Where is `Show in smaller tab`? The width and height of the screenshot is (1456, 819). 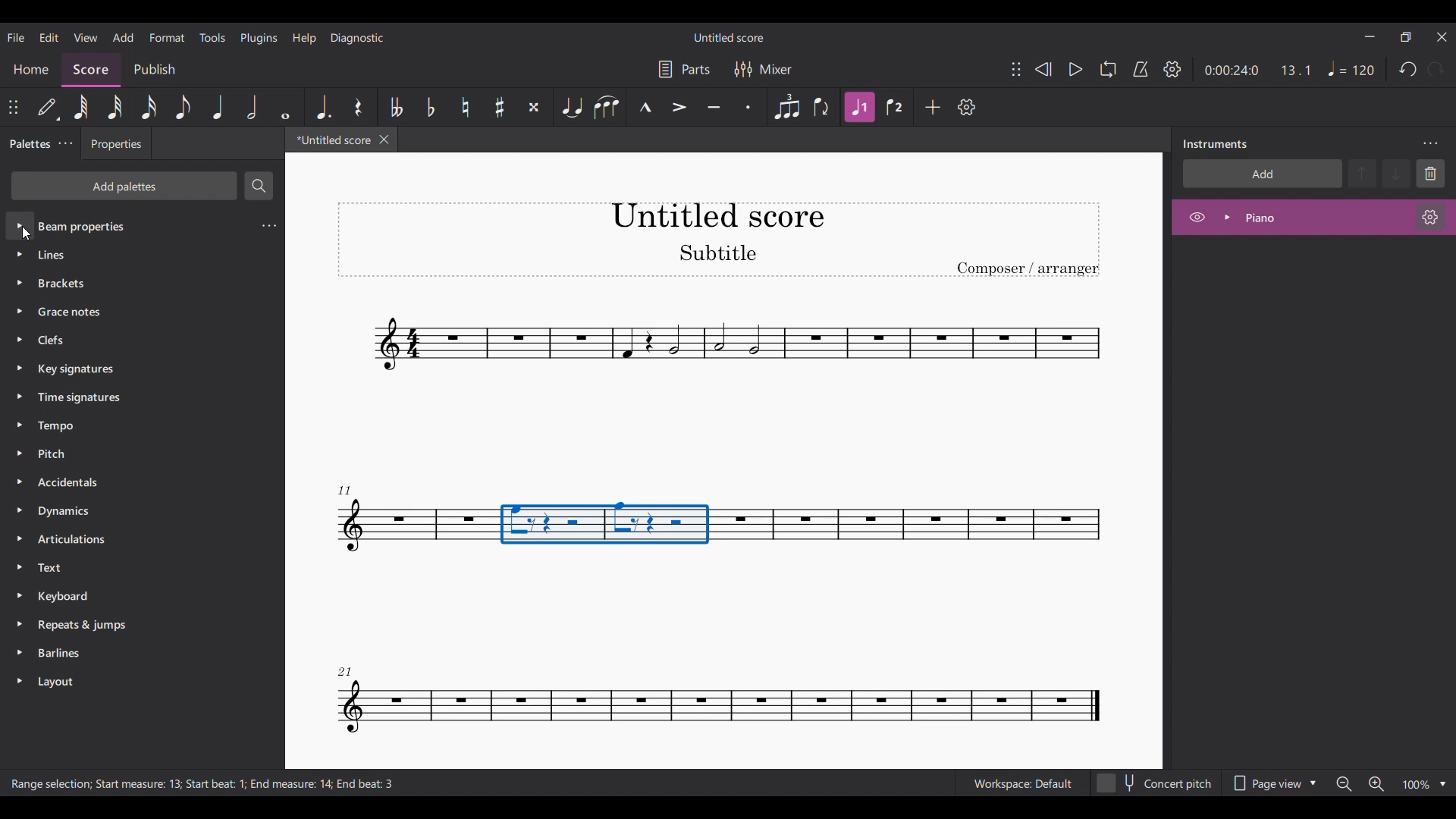
Show in smaller tab is located at coordinates (1405, 36).